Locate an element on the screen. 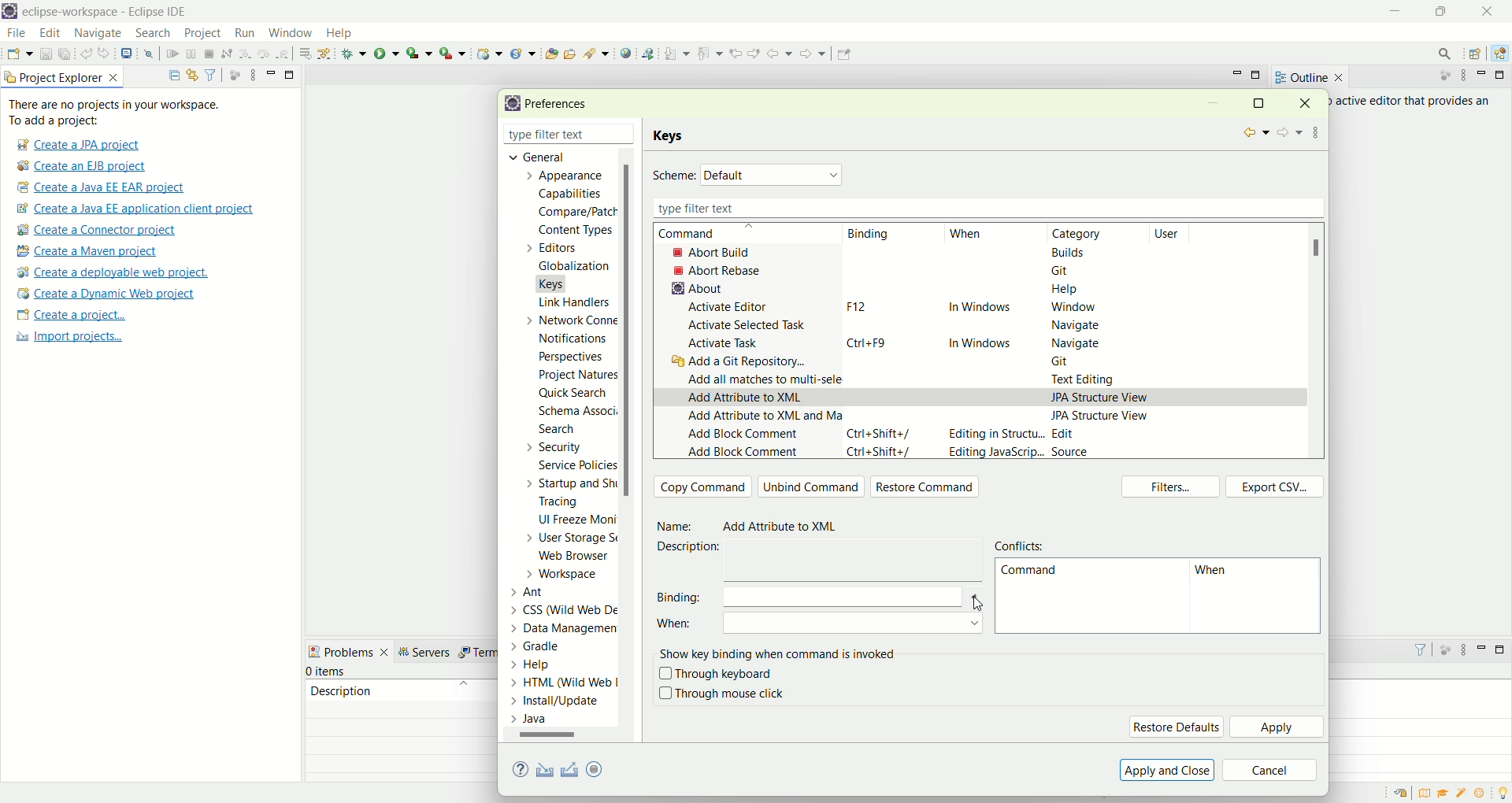 The width and height of the screenshot is (1512, 803). open perspective is located at coordinates (1477, 55).